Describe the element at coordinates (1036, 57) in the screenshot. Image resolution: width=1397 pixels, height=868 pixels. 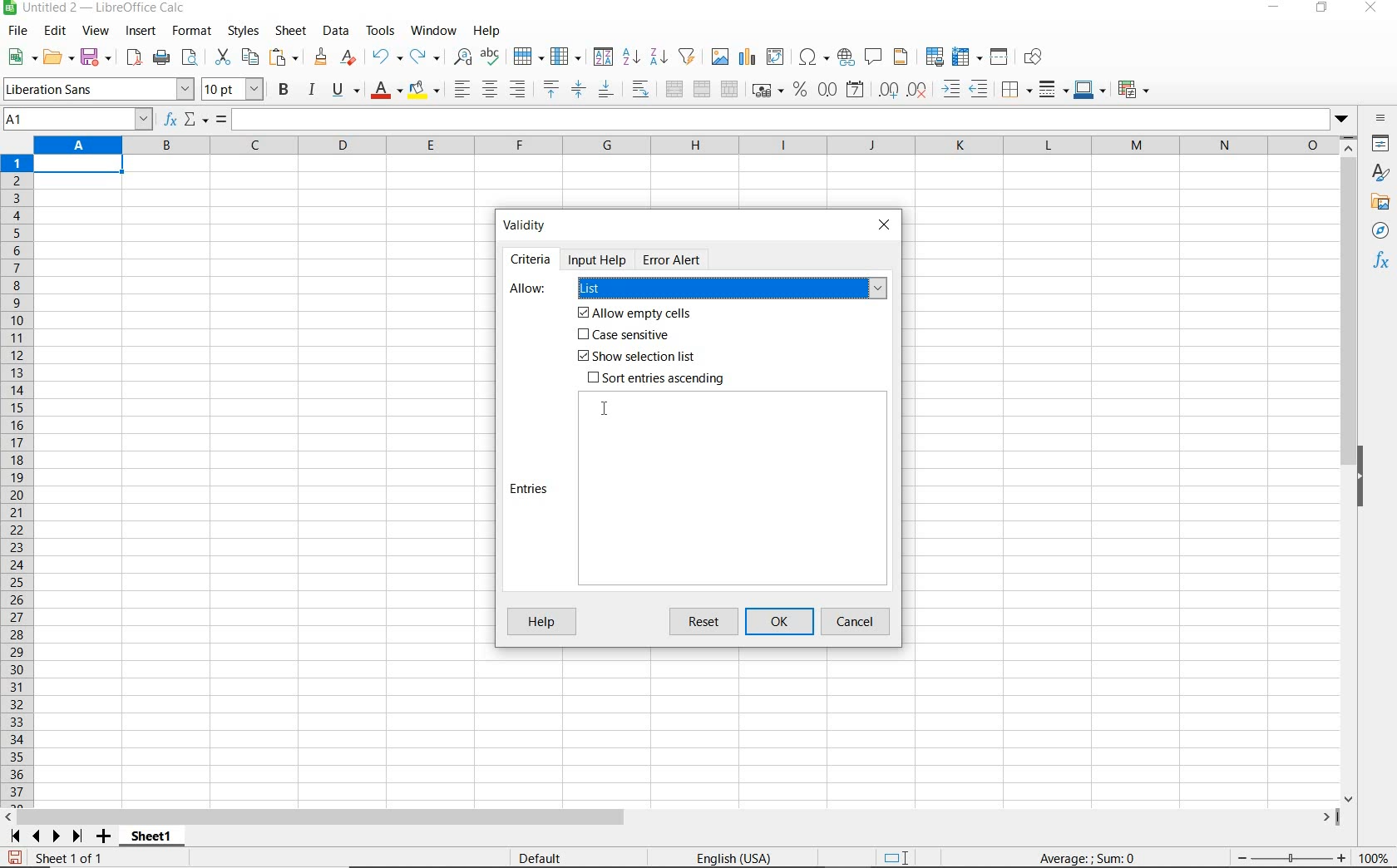
I see `show draw functions` at that location.